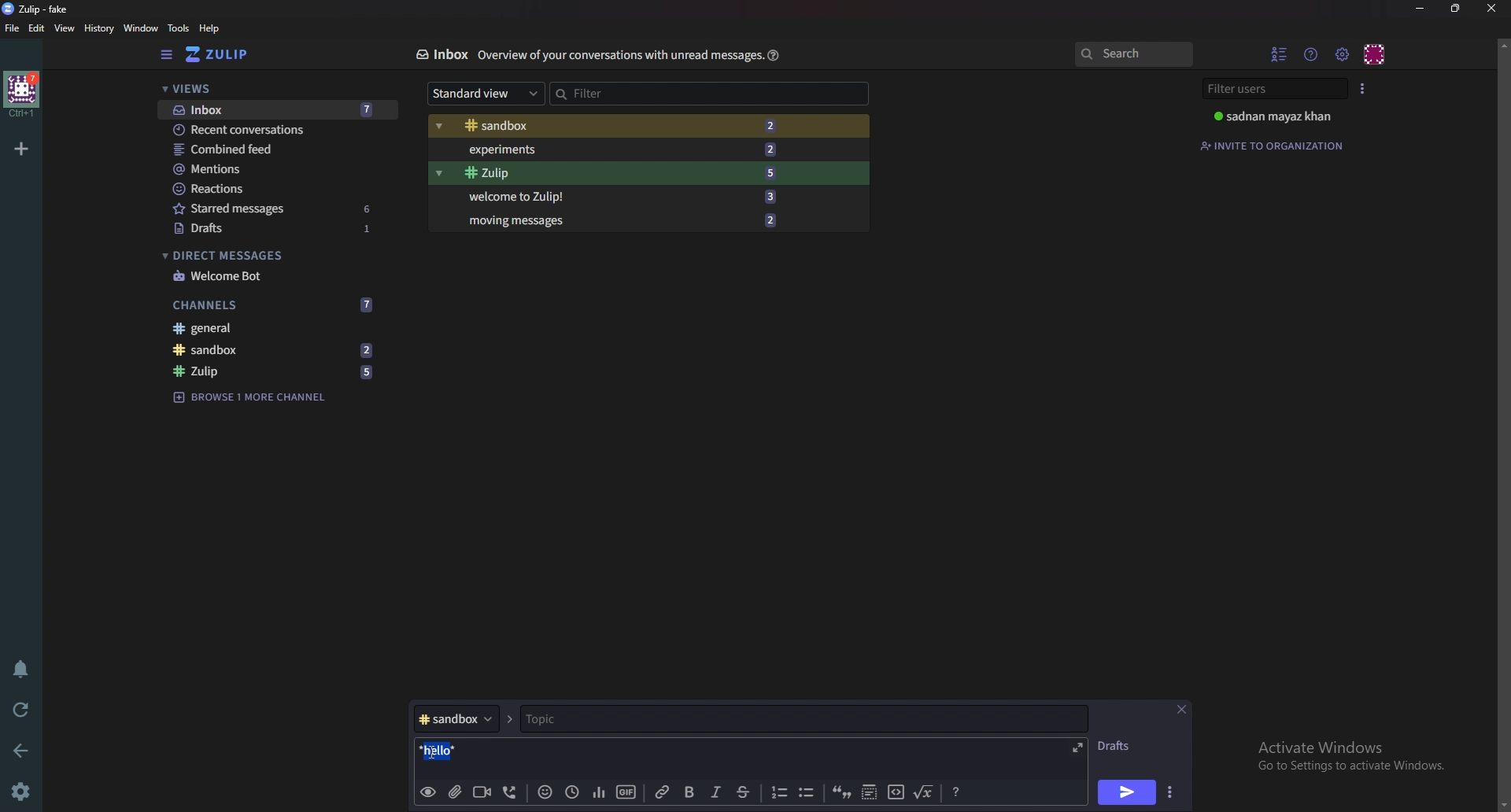 The height and width of the screenshot is (812, 1511). Describe the element at coordinates (1491, 9) in the screenshot. I see `close` at that location.